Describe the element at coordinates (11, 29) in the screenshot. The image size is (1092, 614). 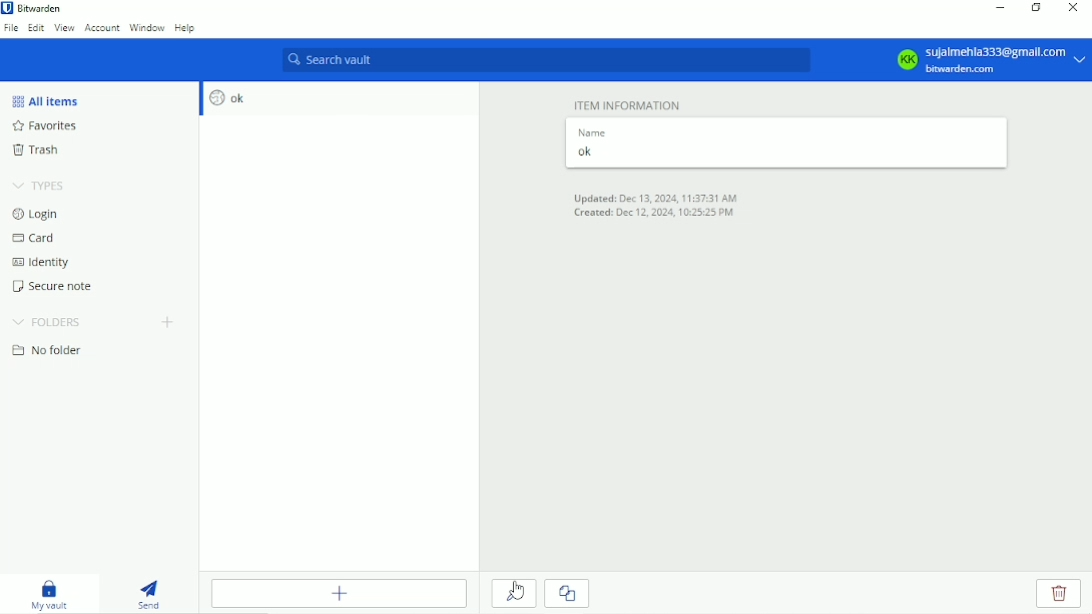
I see `File` at that location.